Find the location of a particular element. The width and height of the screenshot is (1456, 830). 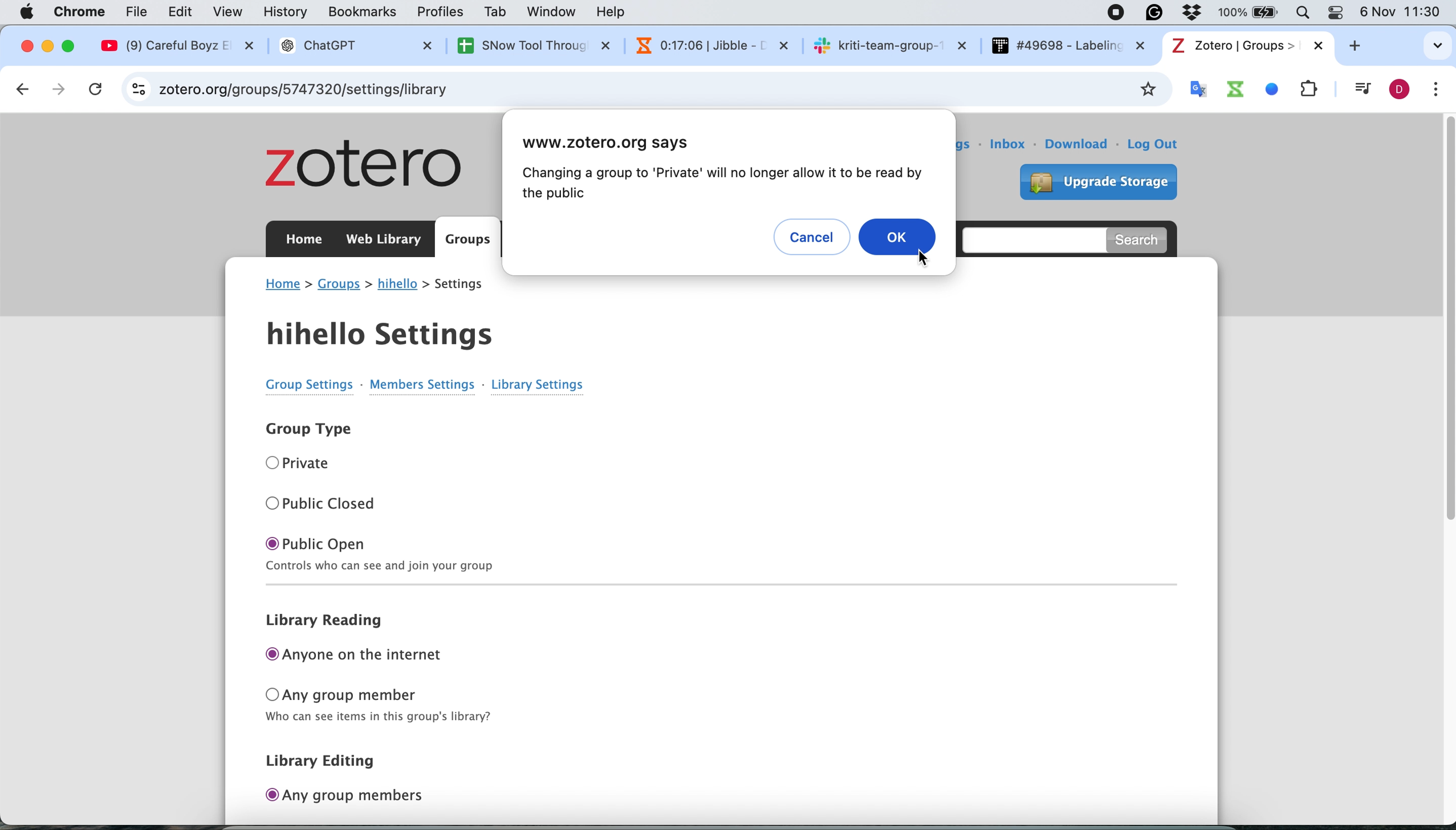

profile is located at coordinates (1396, 91).